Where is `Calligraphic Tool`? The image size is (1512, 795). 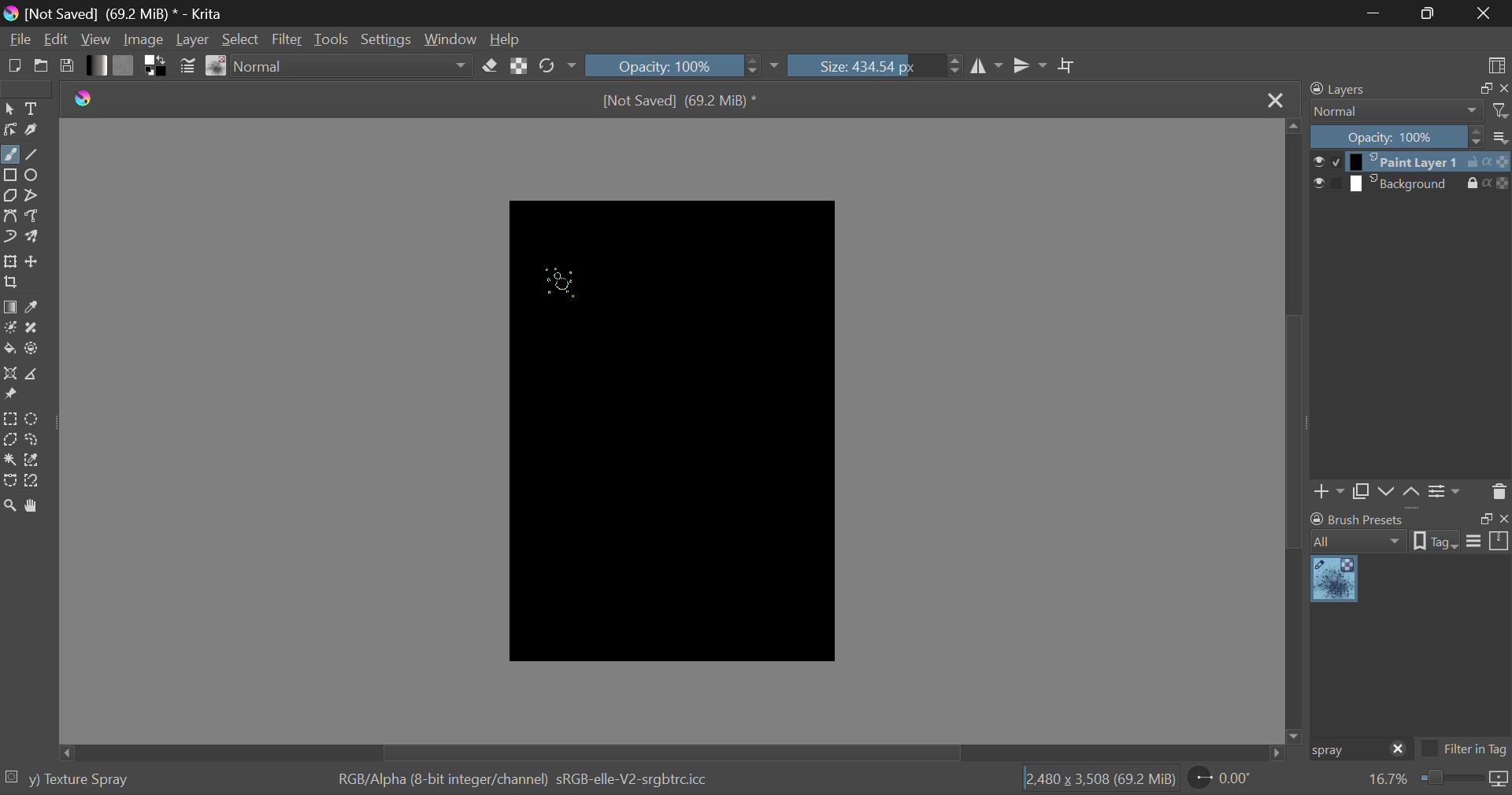
Calligraphic Tool is located at coordinates (34, 130).